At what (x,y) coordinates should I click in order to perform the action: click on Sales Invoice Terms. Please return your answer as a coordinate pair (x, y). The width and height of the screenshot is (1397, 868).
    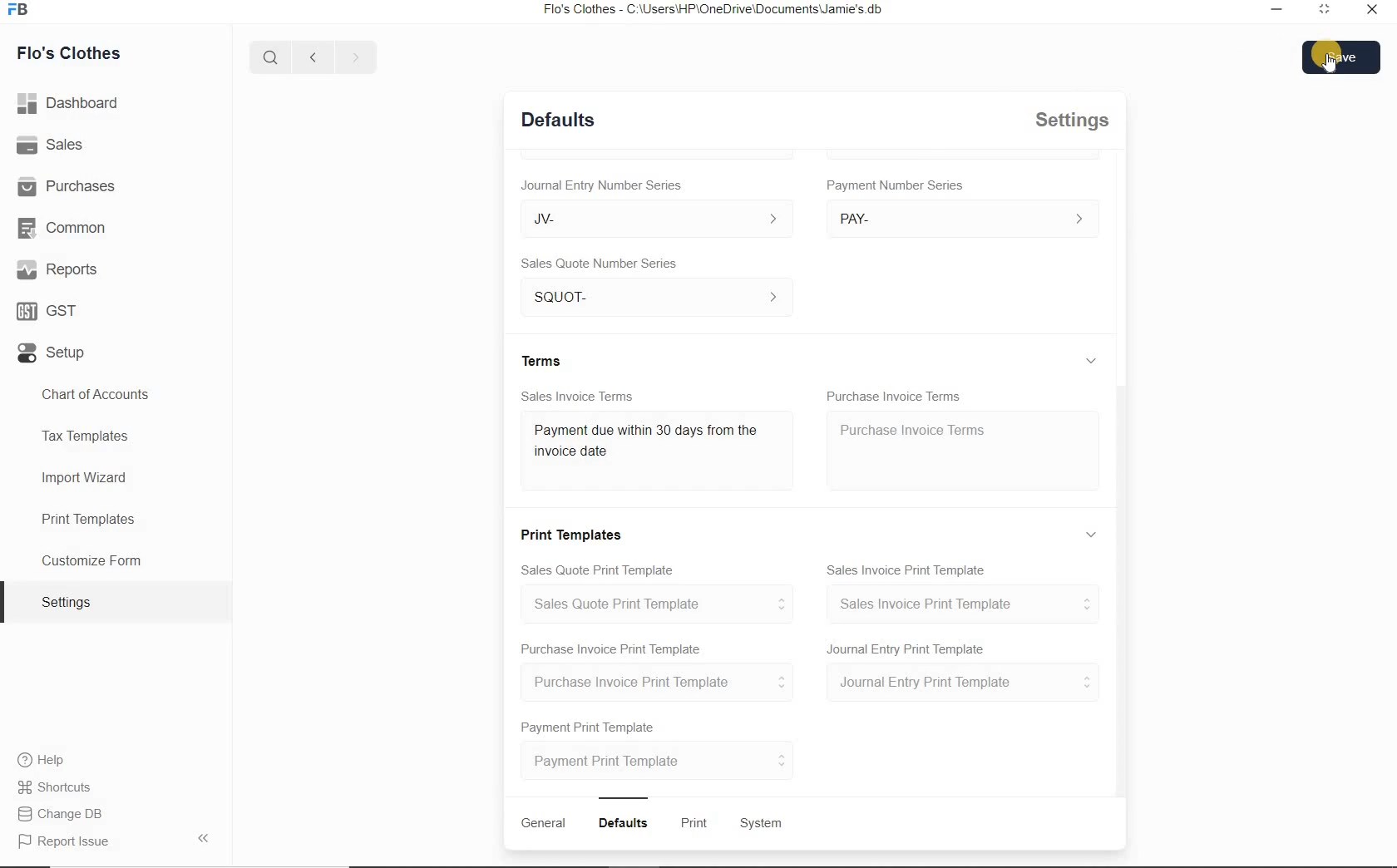
    Looking at the image, I should click on (577, 397).